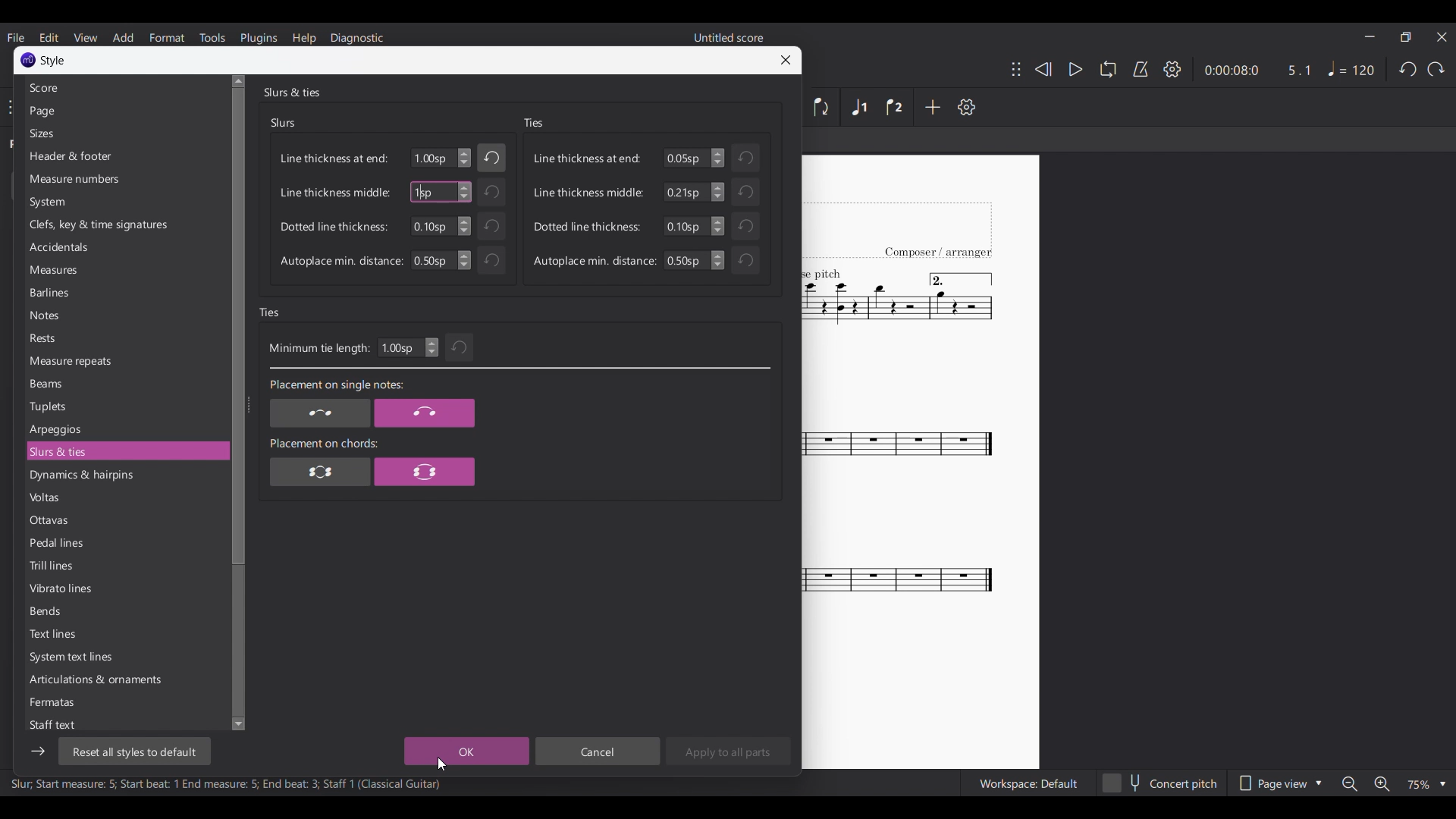  What do you see at coordinates (786, 60) in the screenshot?
I see `Close window` at bounding box center [786, 60].